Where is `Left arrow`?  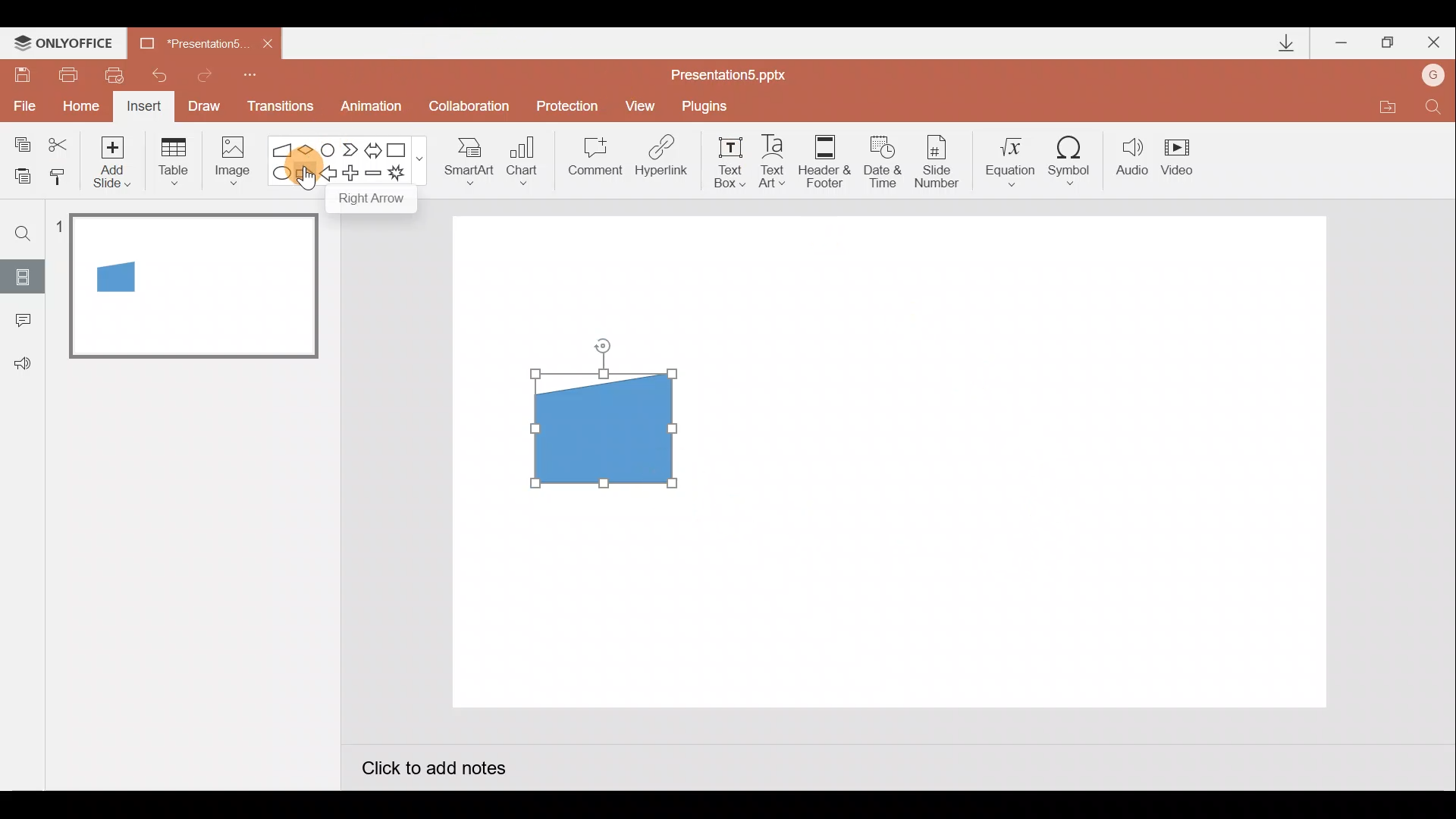 Left arrow is located at coordinates (329, 175).